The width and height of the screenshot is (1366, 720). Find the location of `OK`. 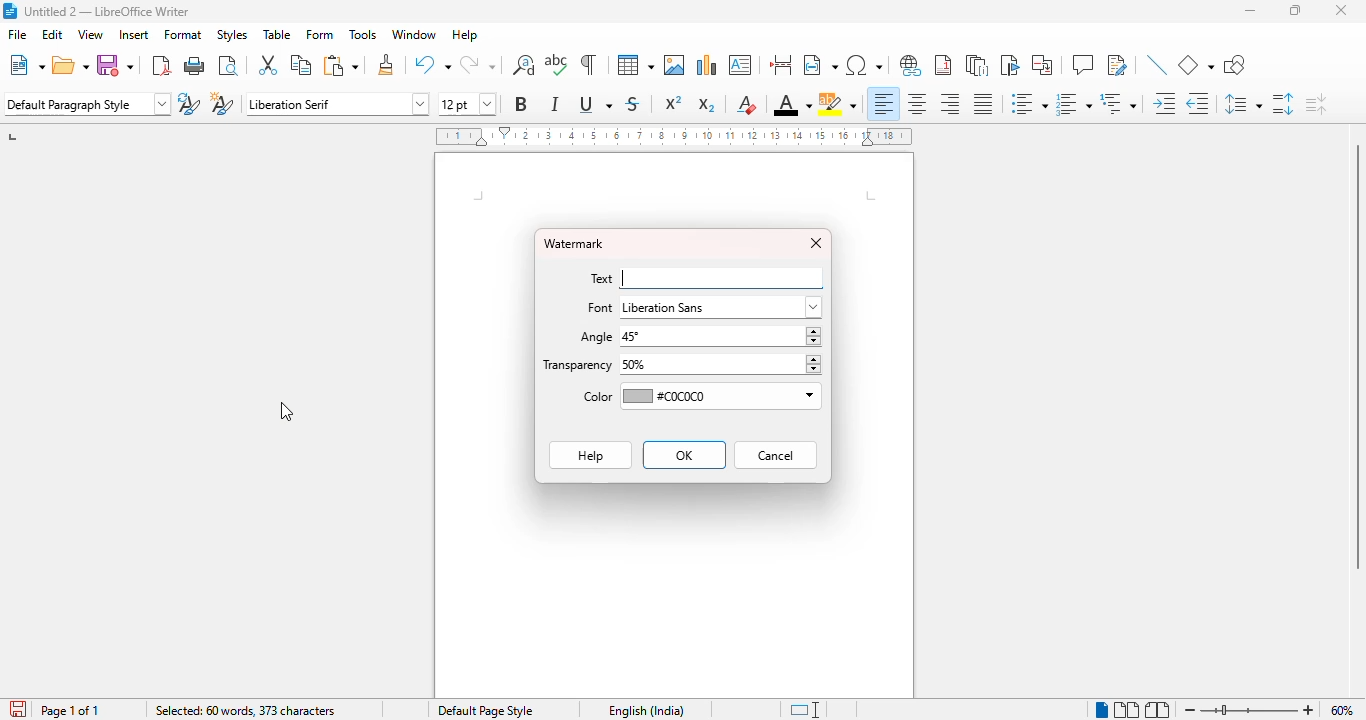

OK is located at coordinates (684, 454).